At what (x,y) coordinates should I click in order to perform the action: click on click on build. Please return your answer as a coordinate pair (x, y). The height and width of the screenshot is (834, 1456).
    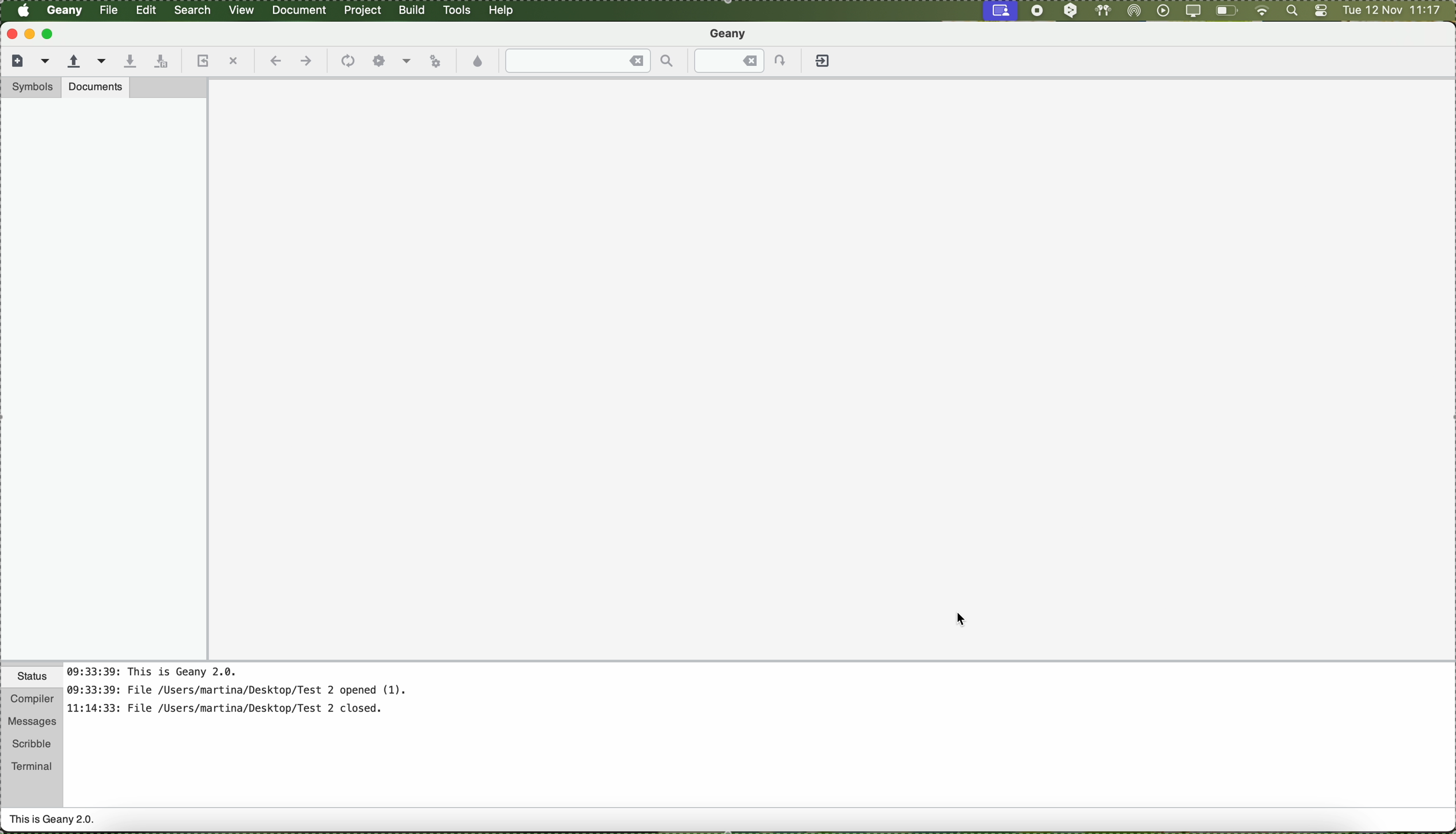
    Looking at the image, I should click on (413, 14).